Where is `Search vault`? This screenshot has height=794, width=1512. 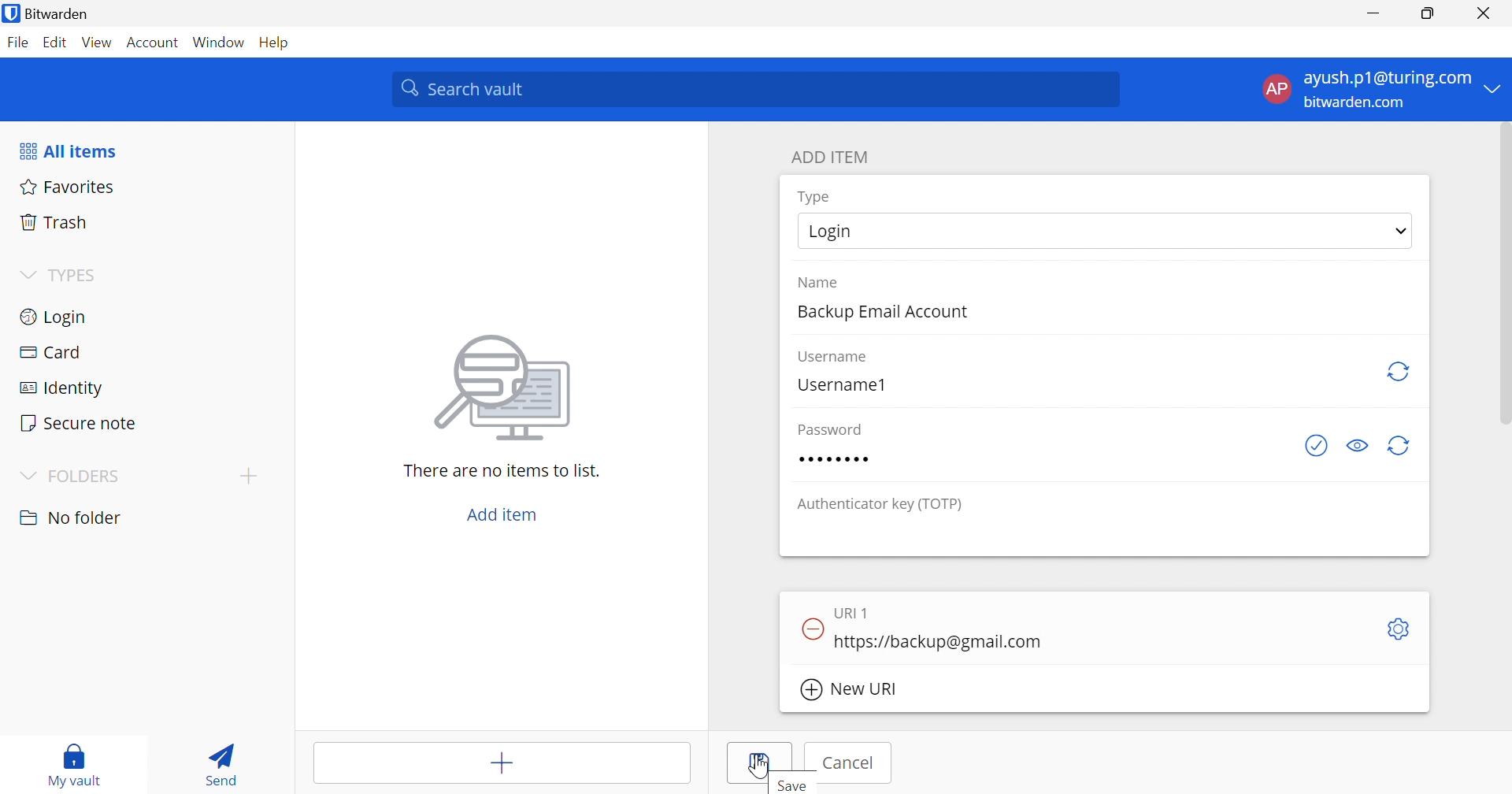
Search vault is located at coordinates (759, 90).